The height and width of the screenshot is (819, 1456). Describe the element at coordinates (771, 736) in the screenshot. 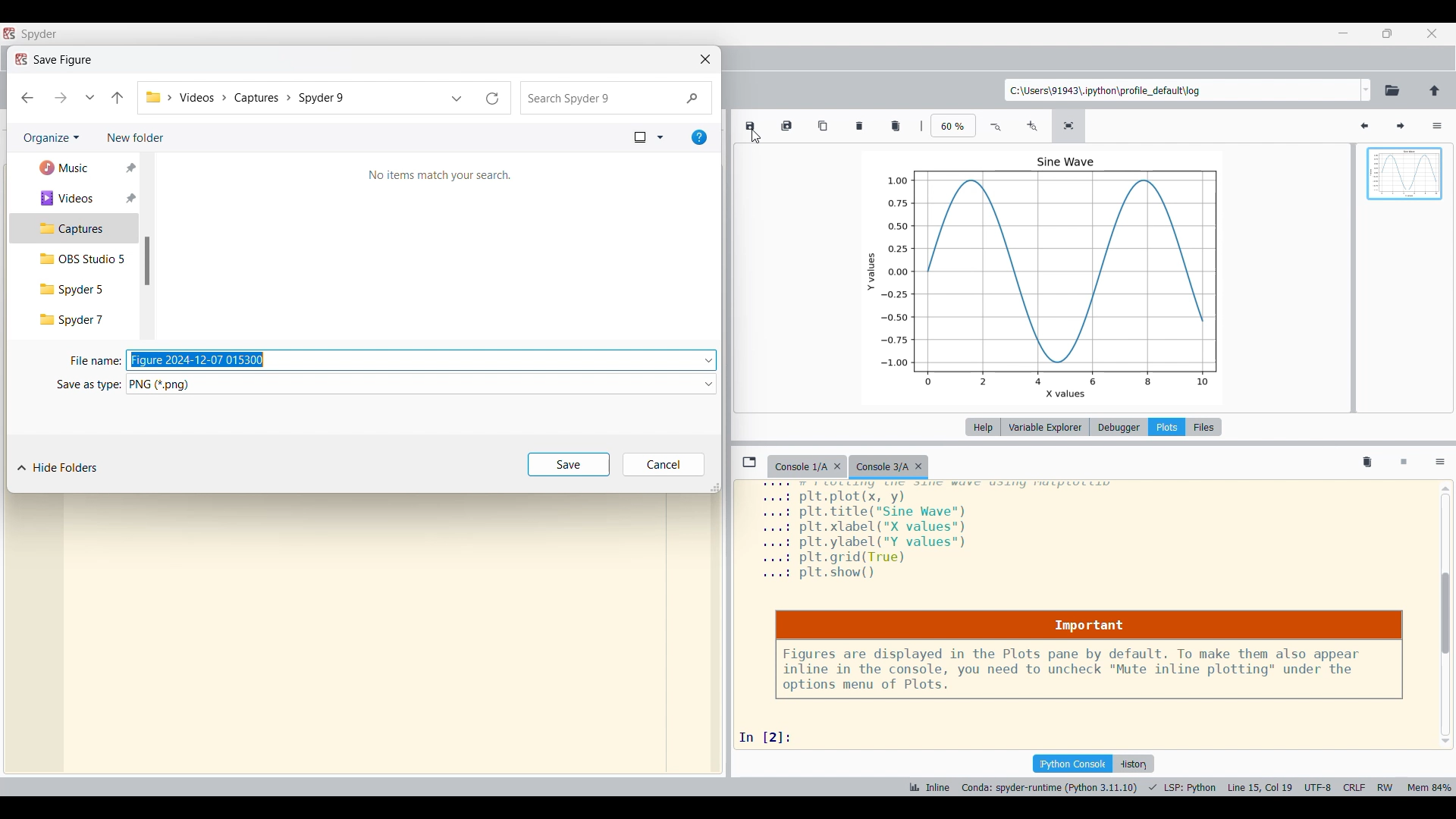

I see `input` at that location.